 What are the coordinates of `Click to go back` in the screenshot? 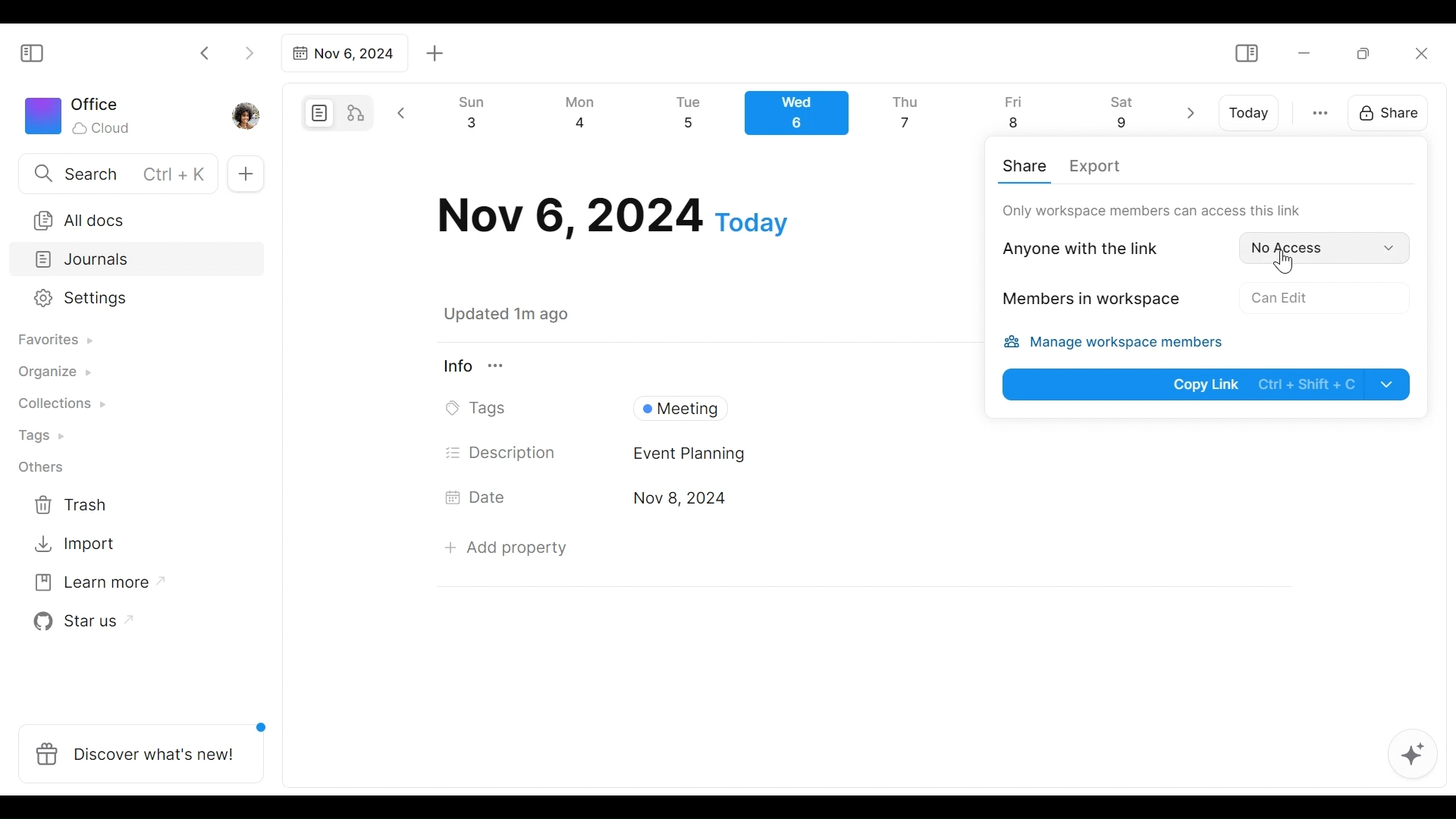 It's located at (206, 52).